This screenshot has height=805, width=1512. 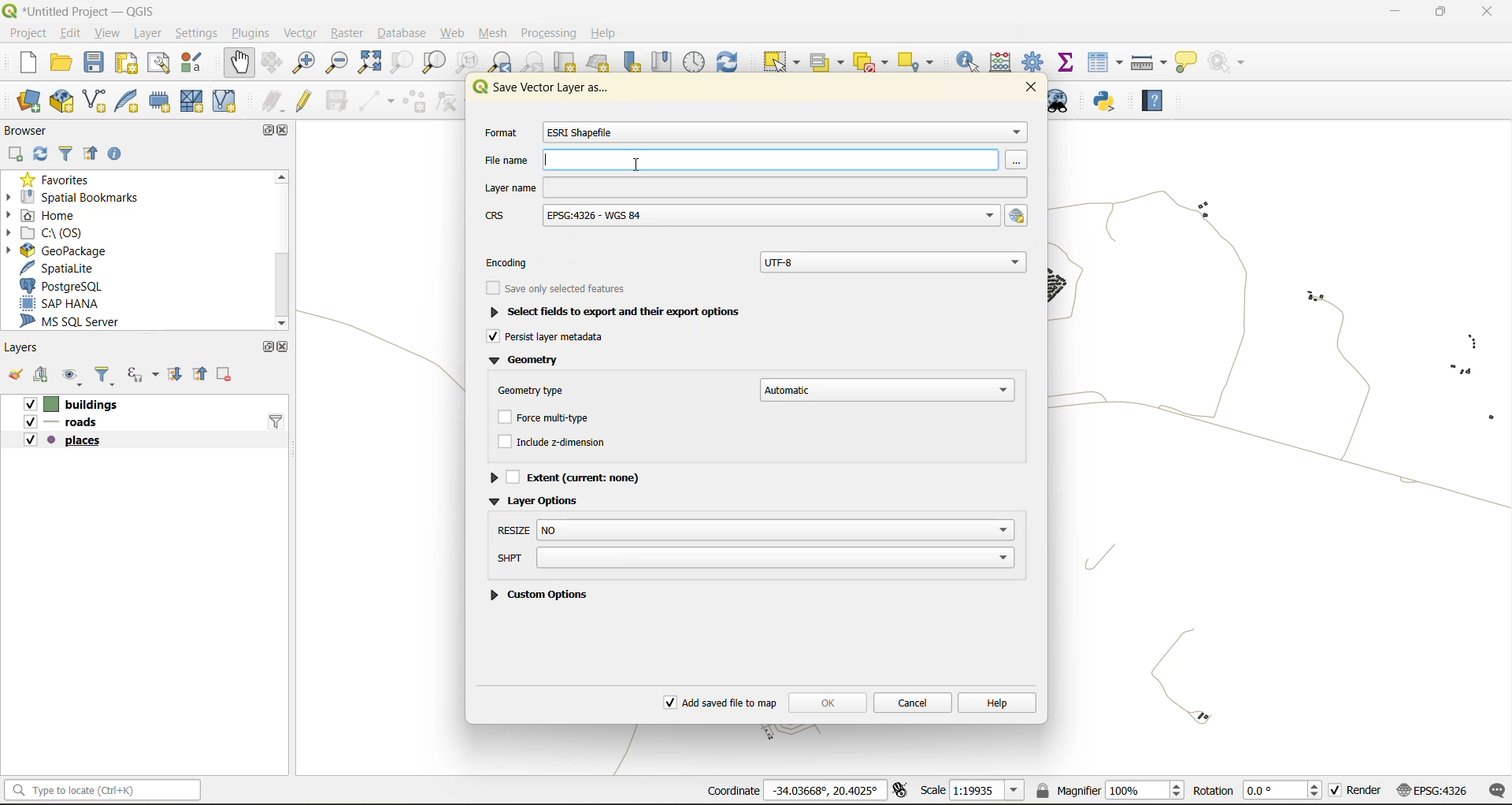 What do you see at coordinates (531, 63) in the screenshot?
I see `zoom next` at bounding box center [531, 63].